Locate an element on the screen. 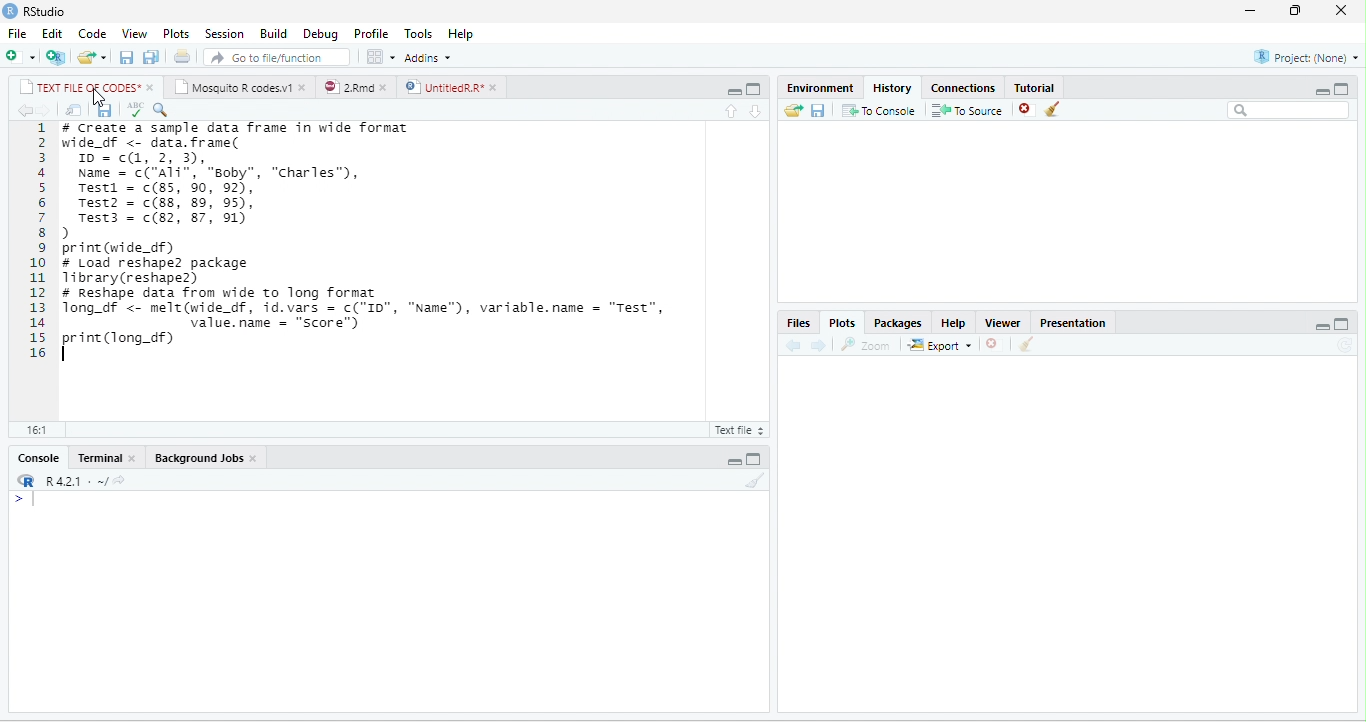  save all is located at coordinates (151, 57).